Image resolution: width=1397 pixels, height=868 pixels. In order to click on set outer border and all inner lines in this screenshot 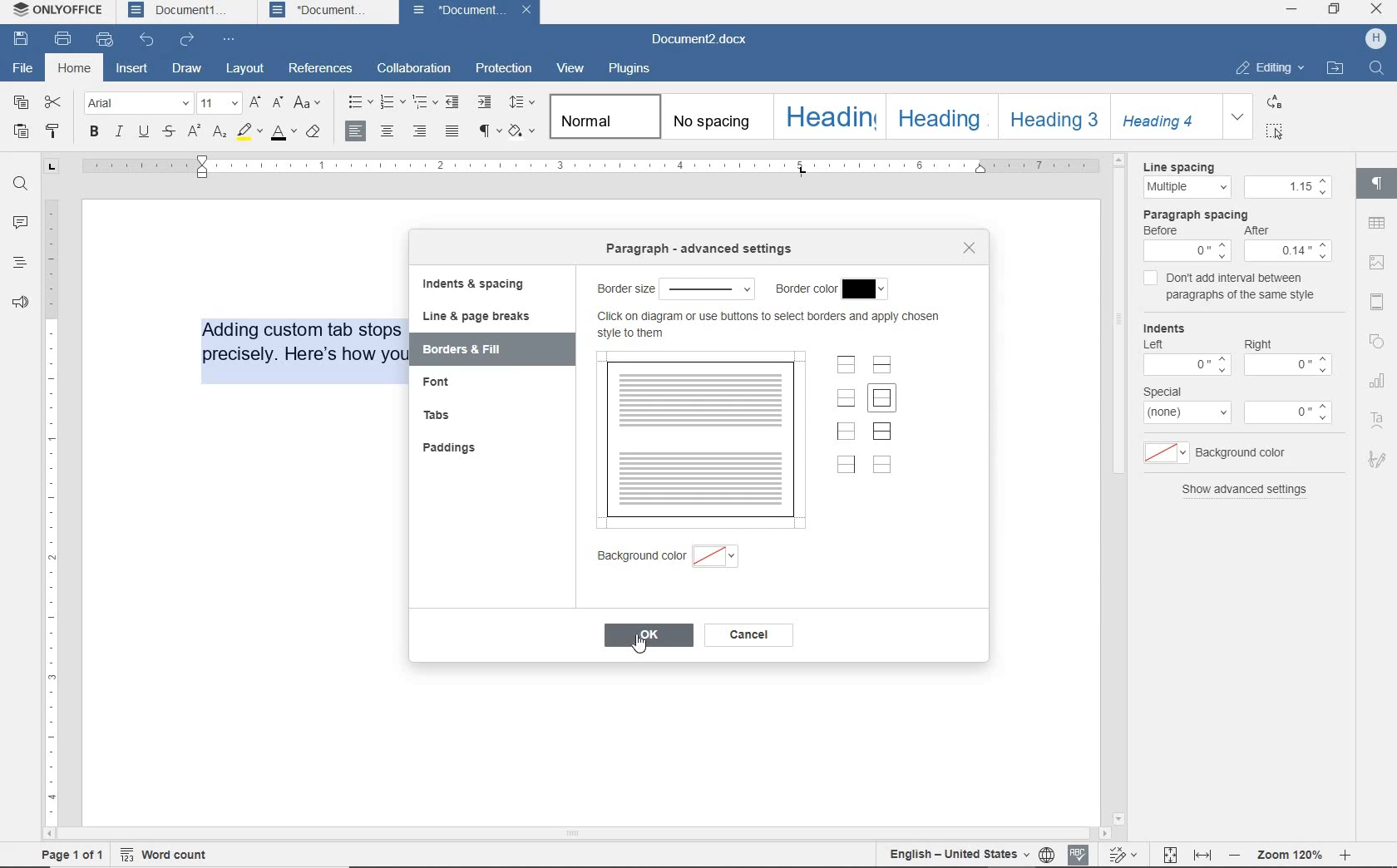, I will do `click(883, 432)`.